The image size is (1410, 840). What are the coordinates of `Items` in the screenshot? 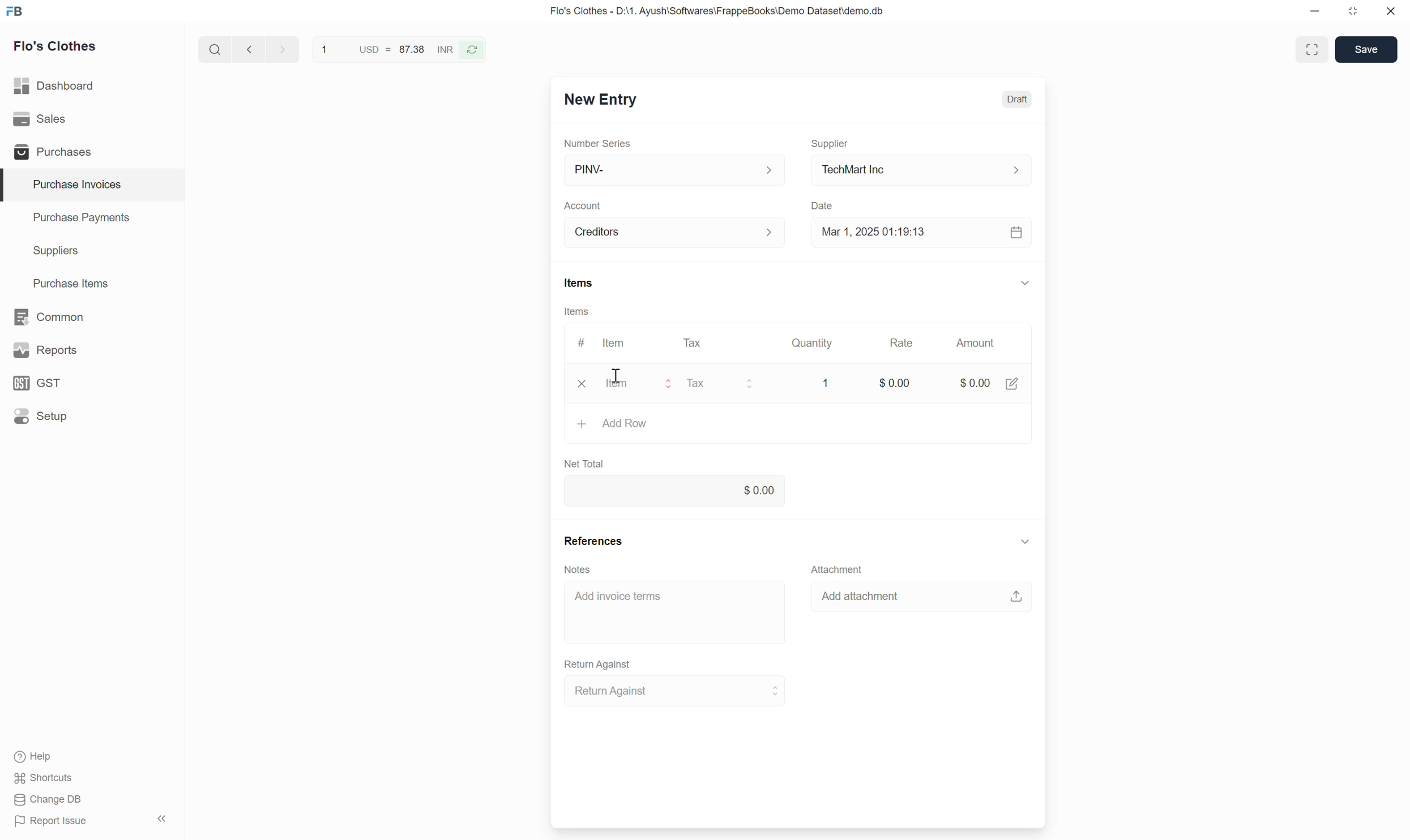 It's located at (578, 283).